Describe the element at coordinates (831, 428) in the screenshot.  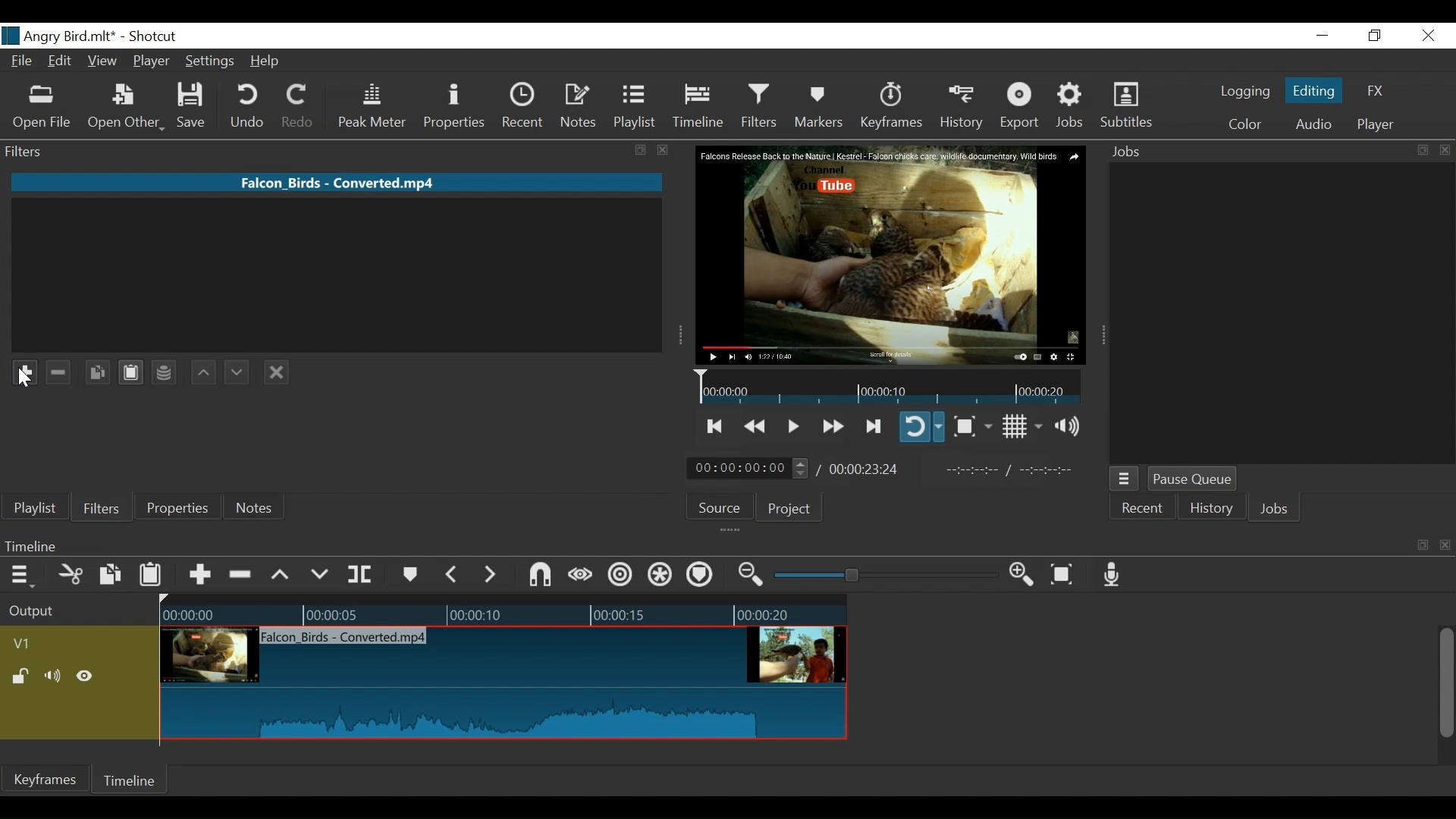
I see `play forward quickly` at that location.